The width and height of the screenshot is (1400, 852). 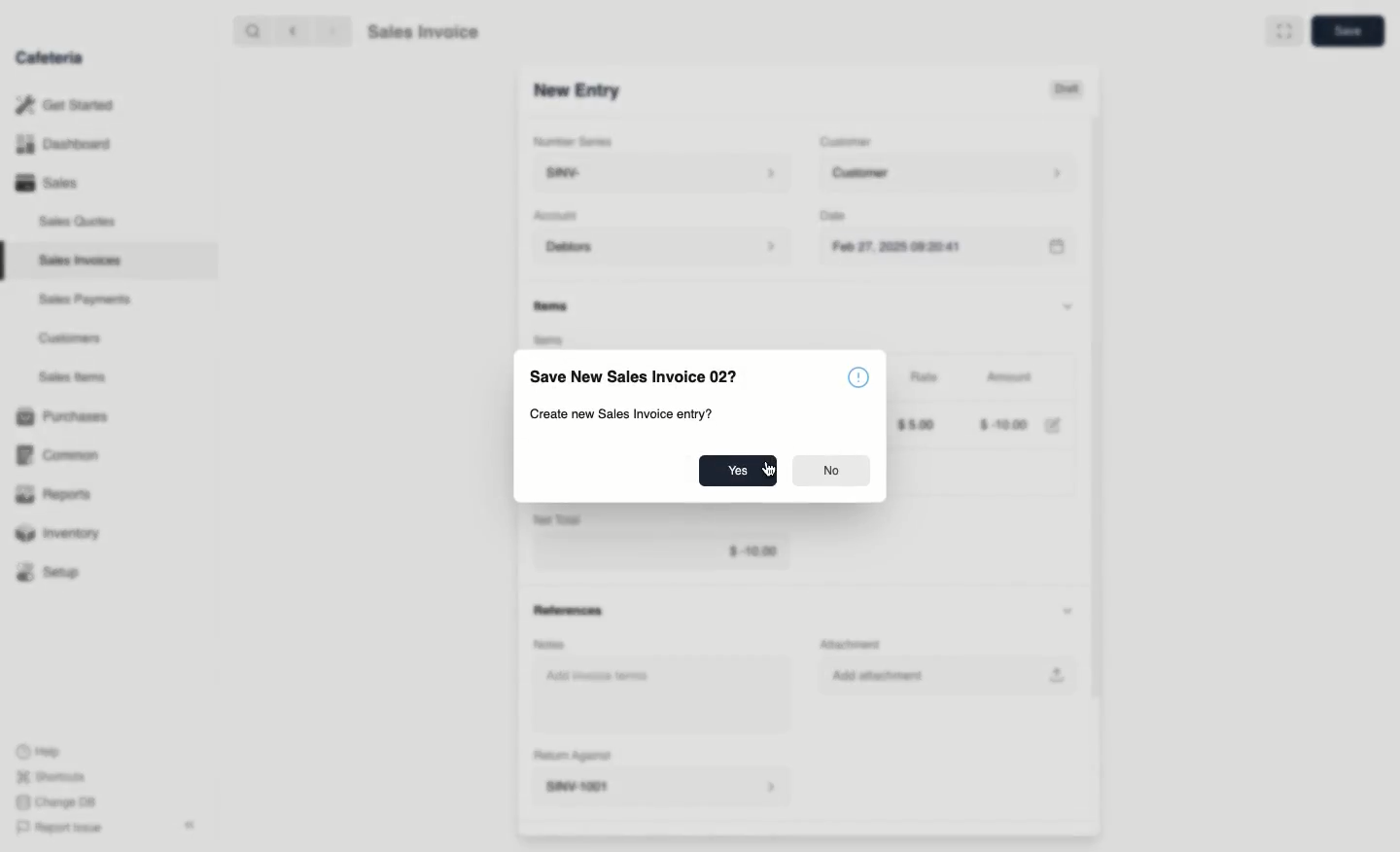 I want to click on No, so click(x=834, y=470).